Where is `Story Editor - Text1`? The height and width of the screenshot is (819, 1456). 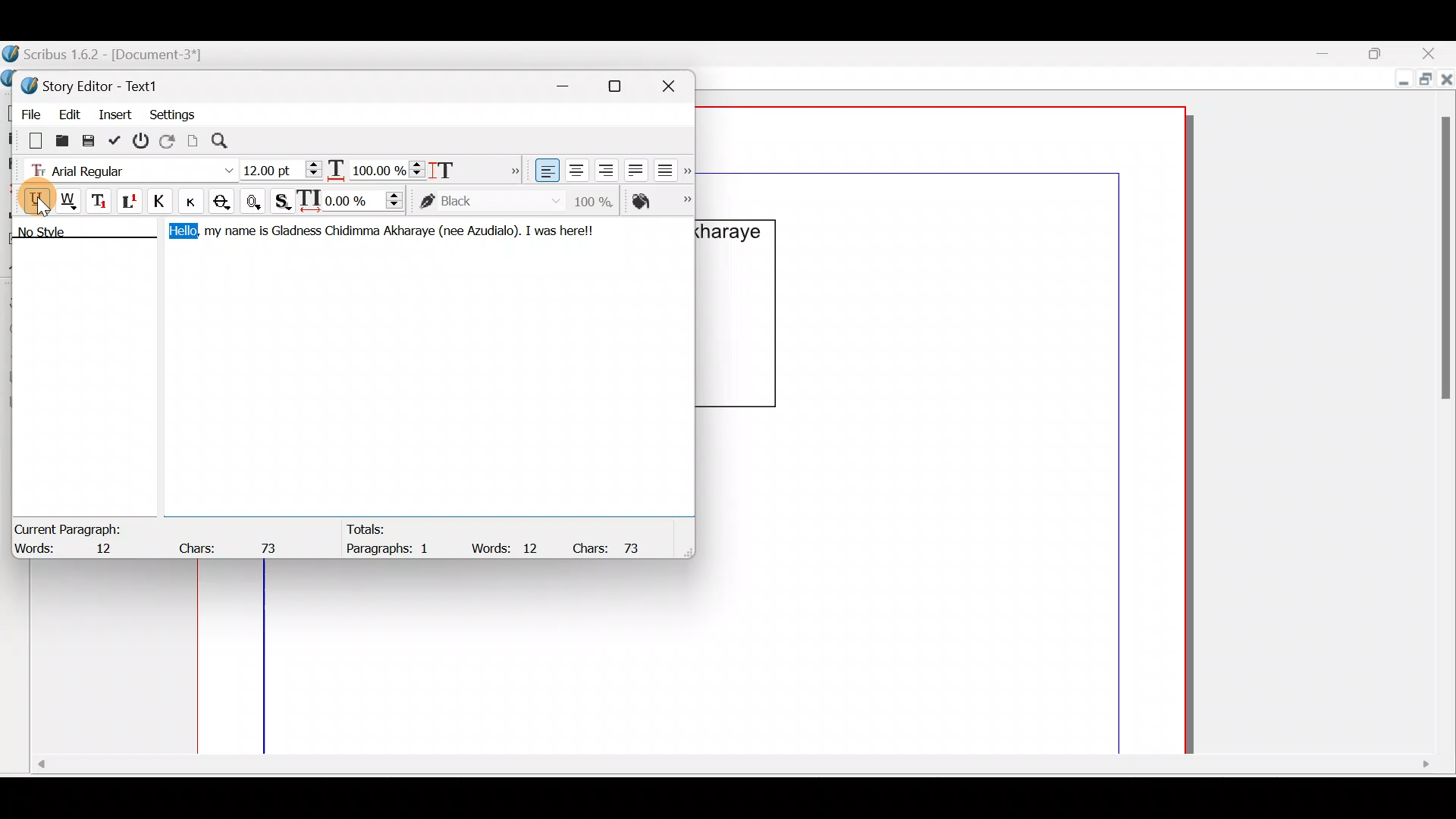
Story Editor - Text1 is located at coordinates (95, 84).